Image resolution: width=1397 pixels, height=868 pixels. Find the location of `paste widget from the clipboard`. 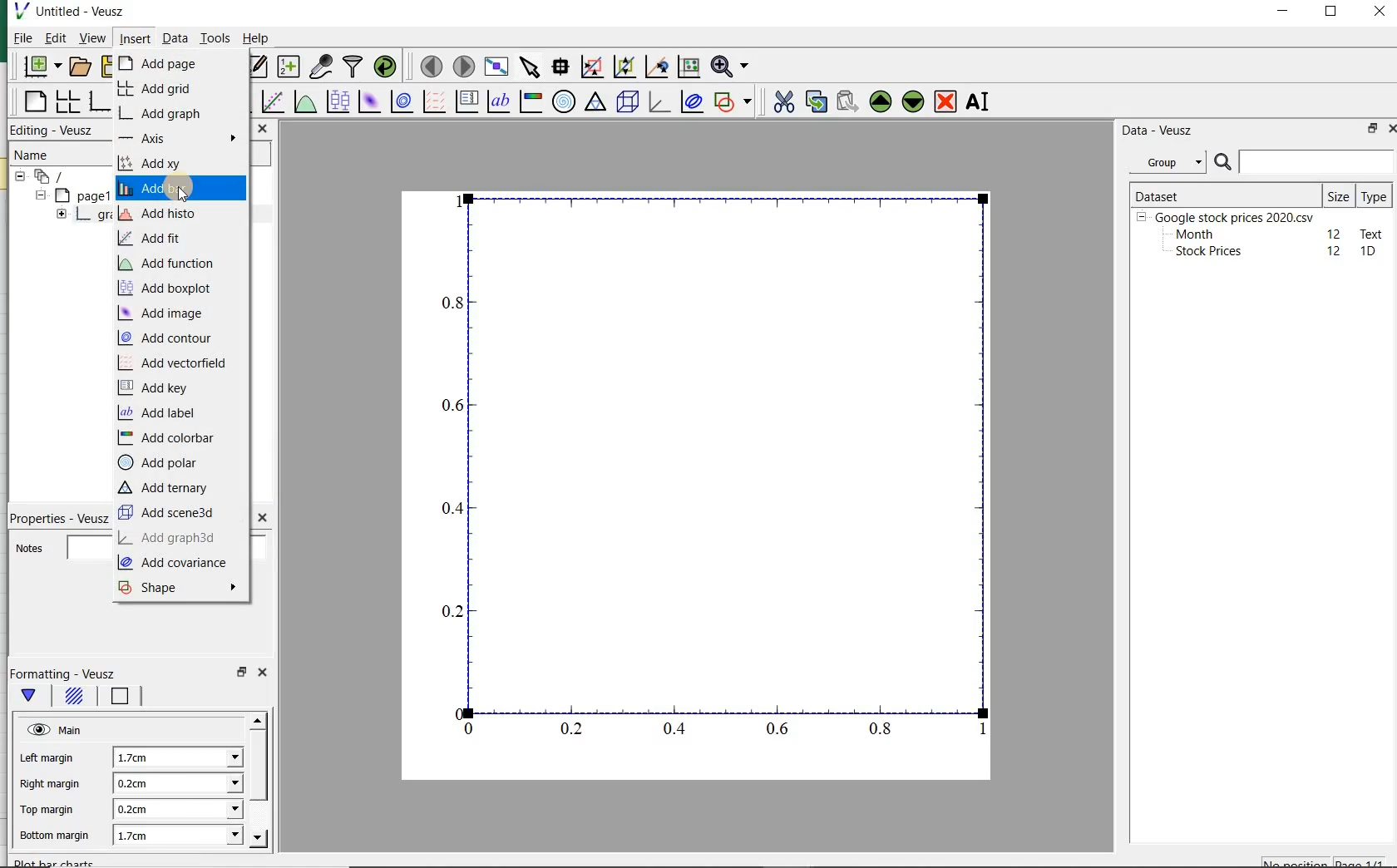

paste widget from the clipboard is located at coordinates (847, 102).